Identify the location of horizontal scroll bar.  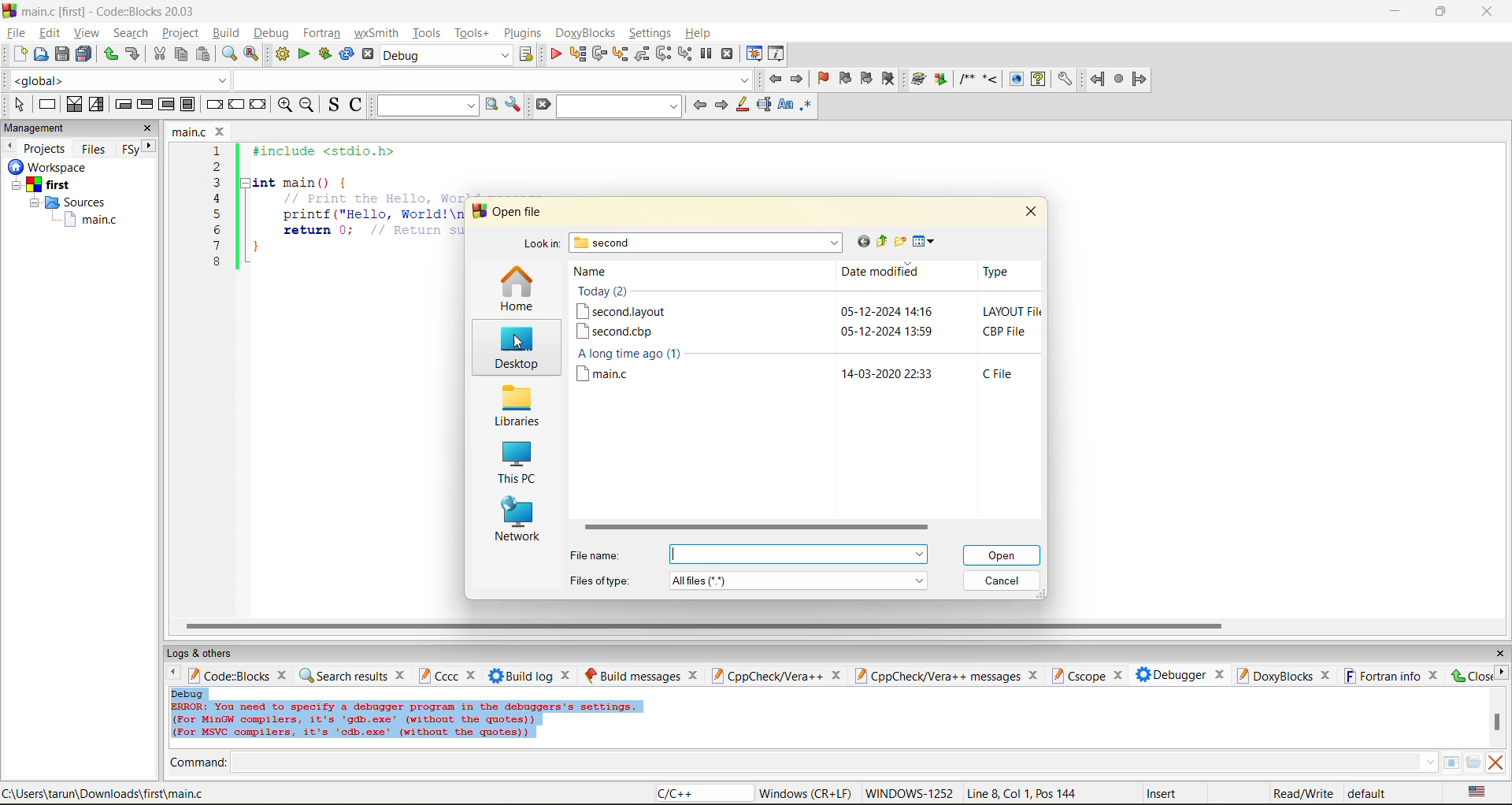
(754, 529).